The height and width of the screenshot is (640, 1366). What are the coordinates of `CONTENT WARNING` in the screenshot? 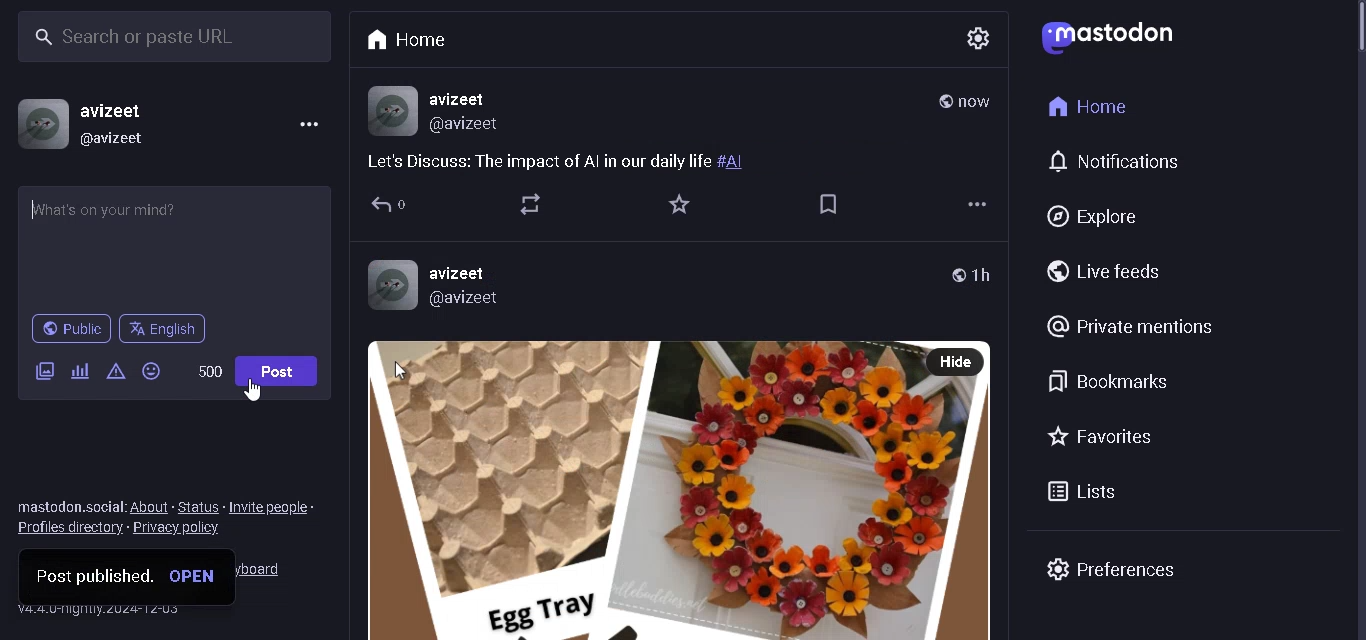 It's located at (116, 371).